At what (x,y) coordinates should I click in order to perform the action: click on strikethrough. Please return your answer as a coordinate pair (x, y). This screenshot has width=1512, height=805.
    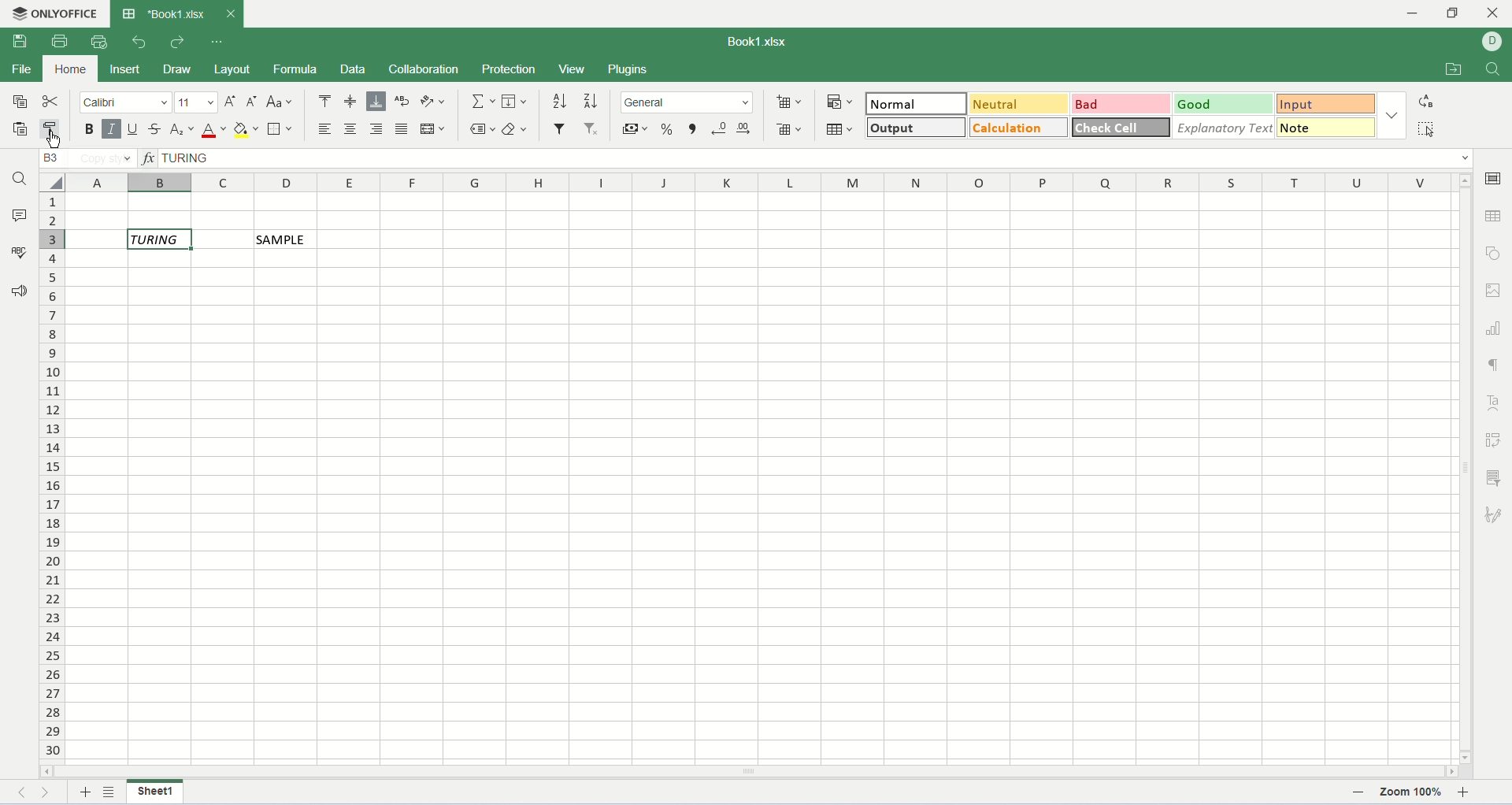
    Looking at the image, I should click on (157, 130).